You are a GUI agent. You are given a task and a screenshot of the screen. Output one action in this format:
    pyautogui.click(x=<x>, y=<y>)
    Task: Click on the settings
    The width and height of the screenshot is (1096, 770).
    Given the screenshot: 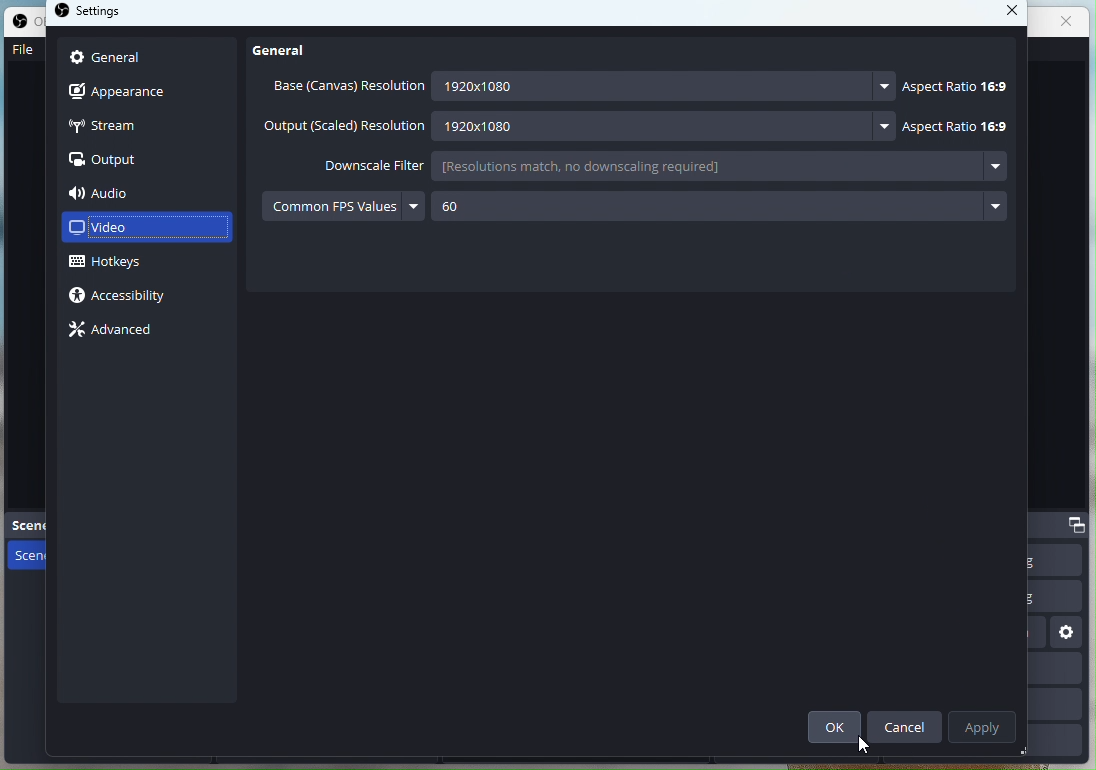 What is the action you would take?
    pyautogui.click(x=1068, y=635)
    